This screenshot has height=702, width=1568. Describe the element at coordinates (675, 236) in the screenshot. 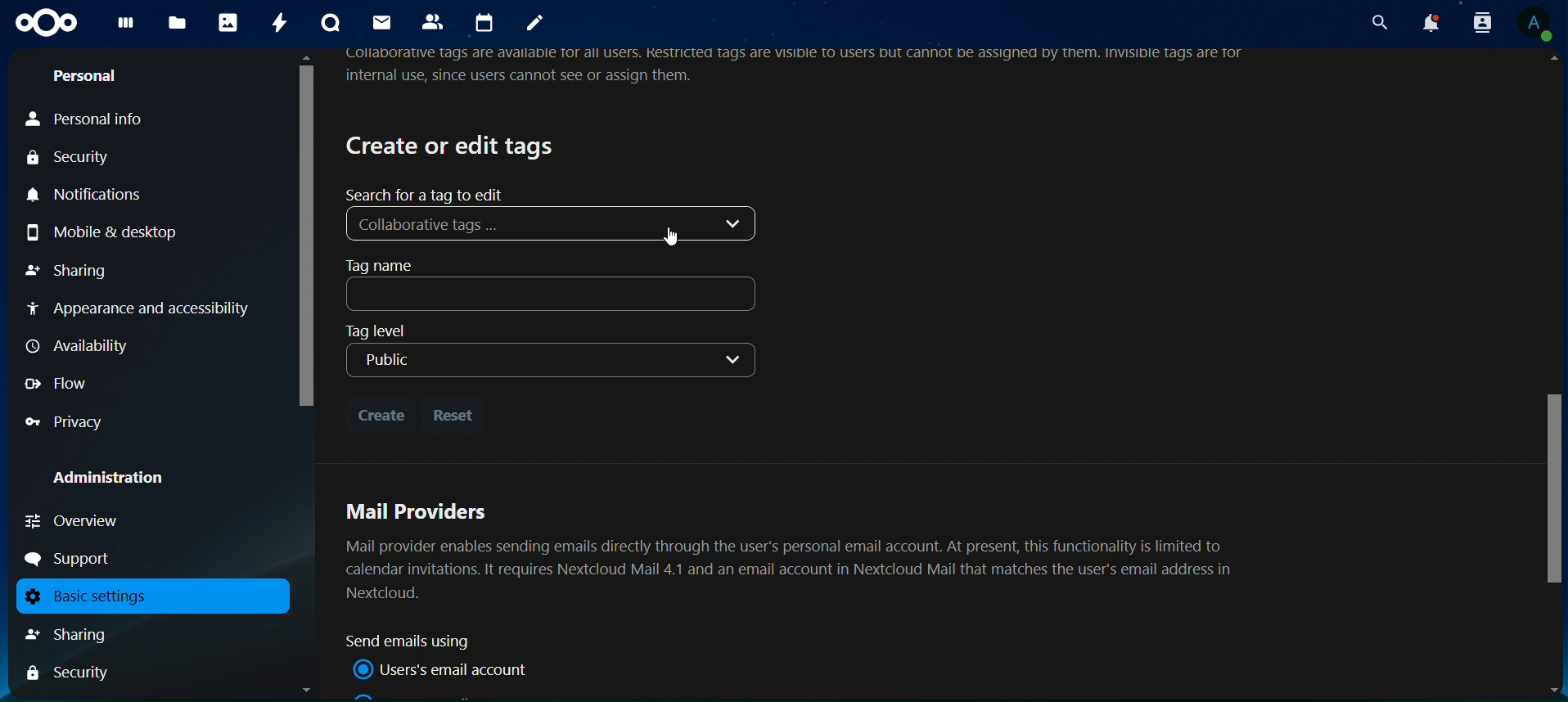

I see `Cursor` at that location.